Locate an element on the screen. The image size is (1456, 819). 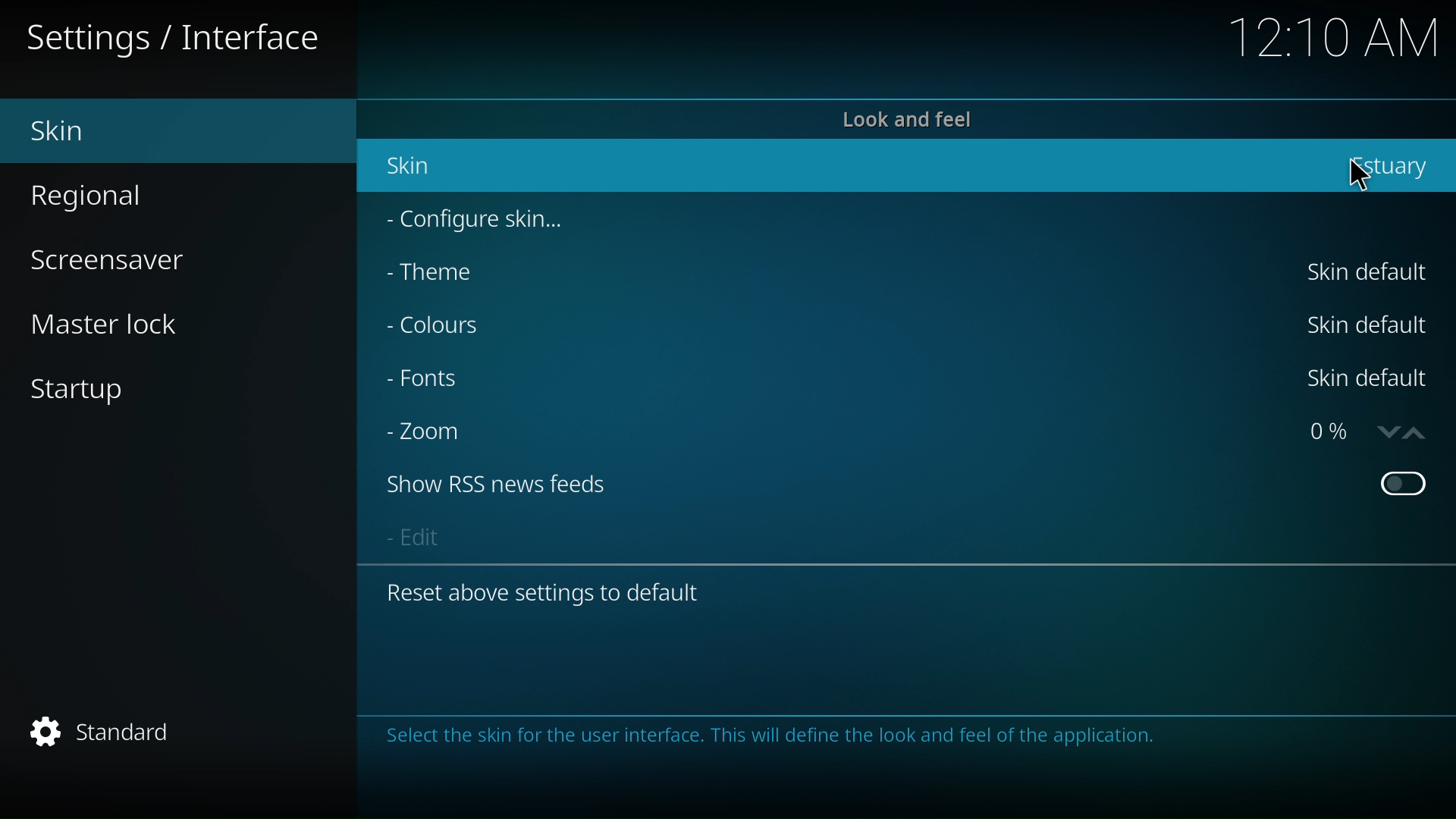
cursor is located at coordinates (1367, 177).